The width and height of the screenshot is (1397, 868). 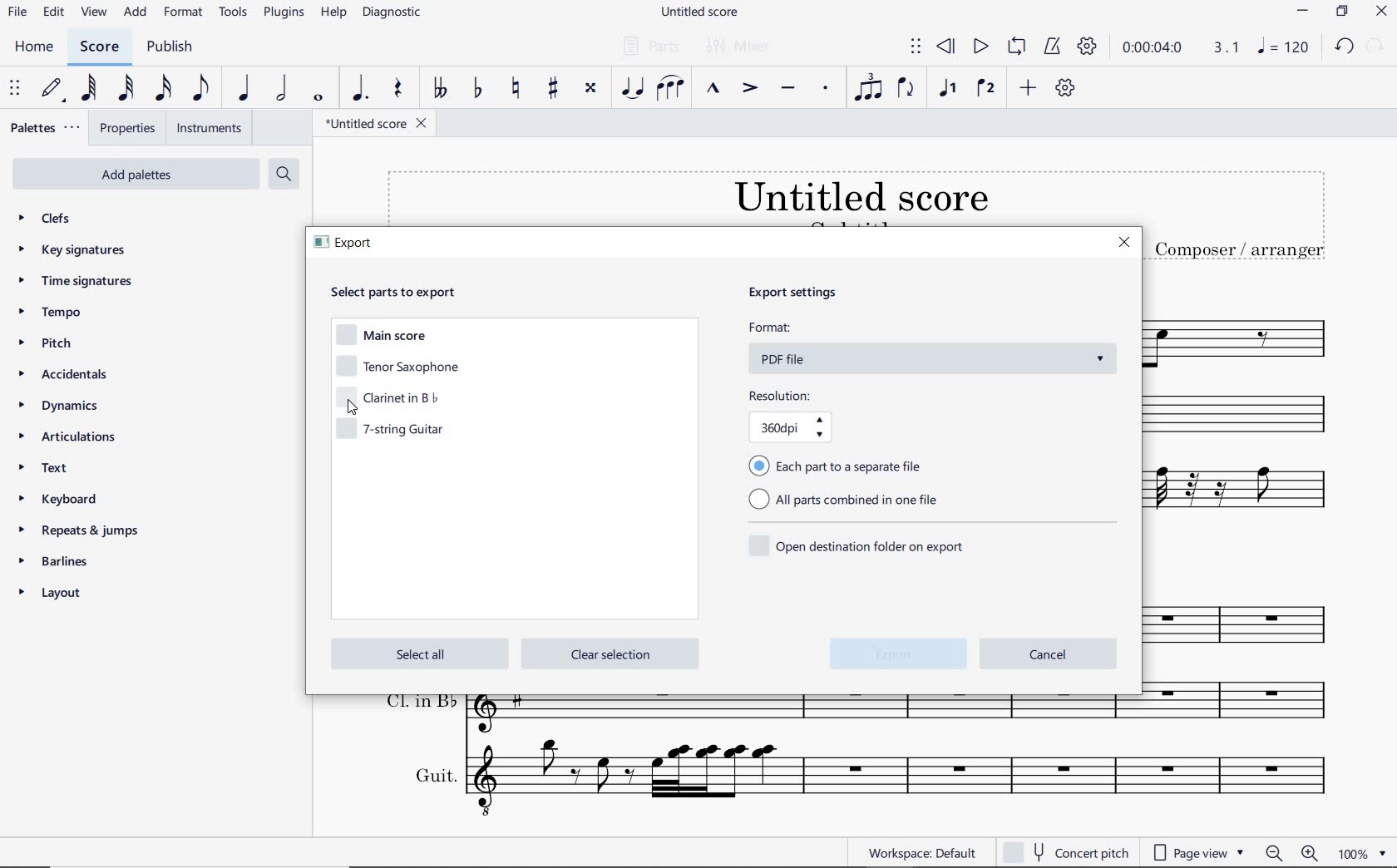 What do you see at coordinates (394, 397) in the screenshot?
I see `clarinet in b` at bounding box center [394, 397].